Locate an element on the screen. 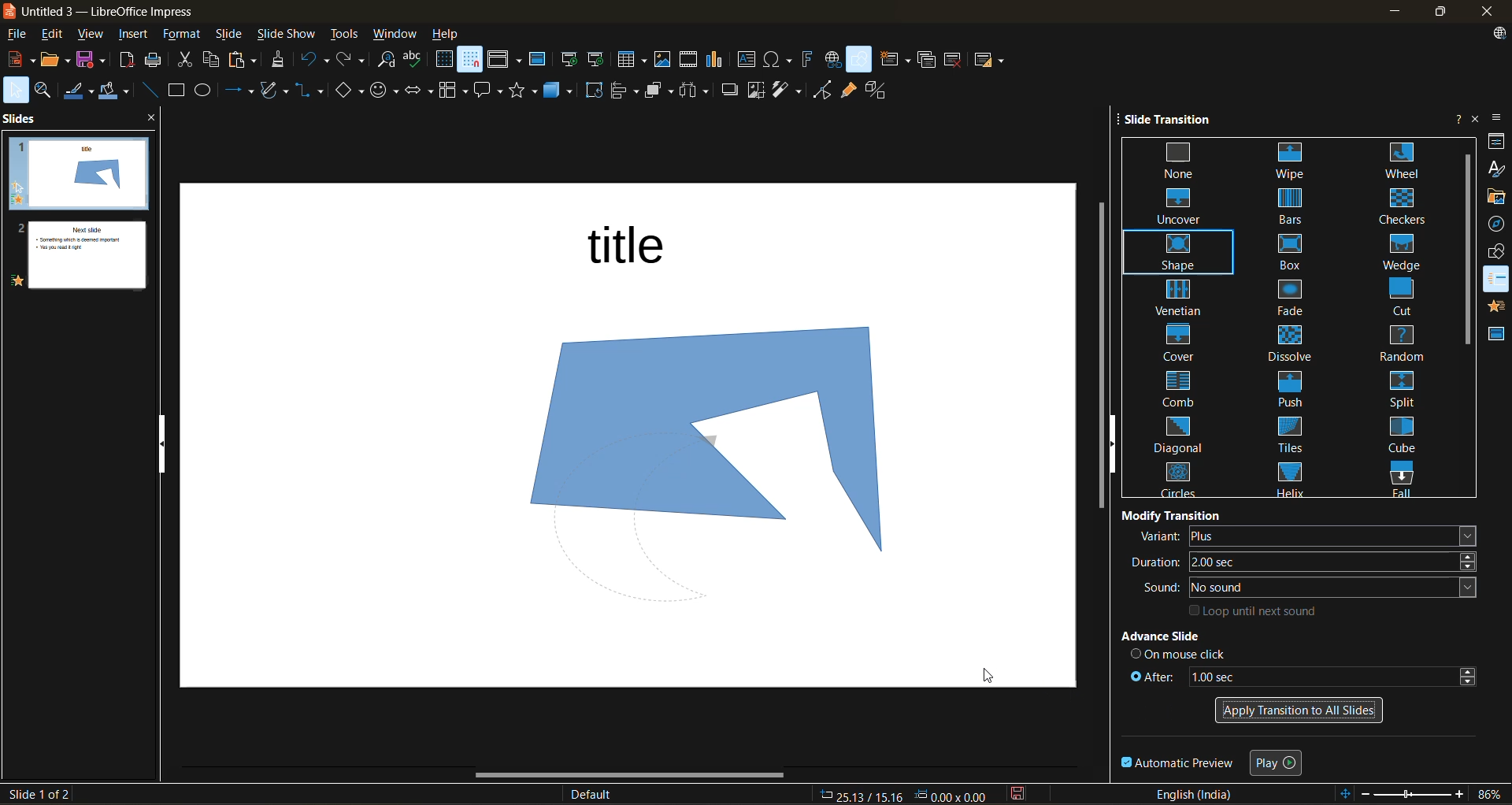 The image size is (1512, 805). insert line is located at coordinates (149, 90).